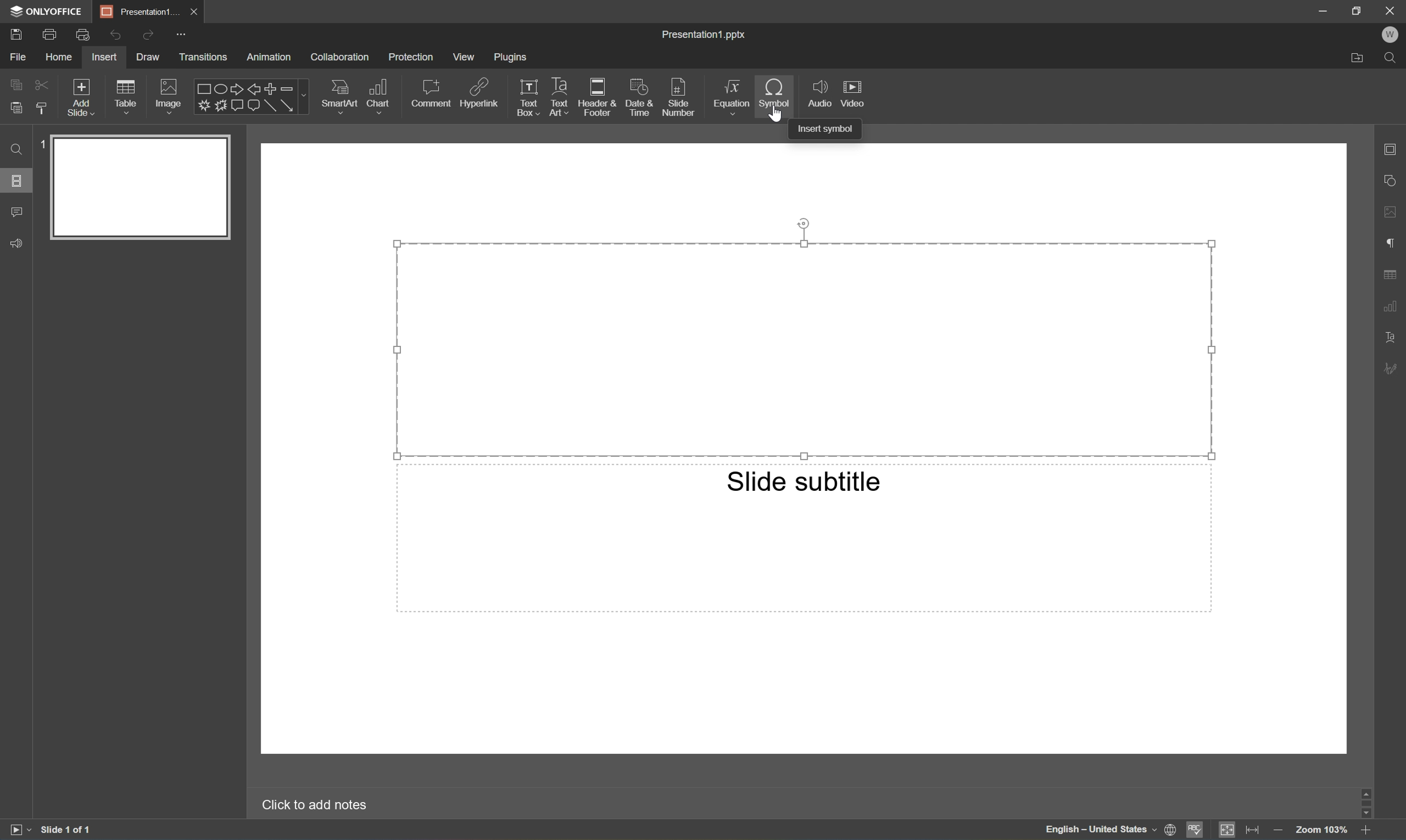 This screenshot has height=840, width=1406. I want to click on Transitions, so click(203, 58).